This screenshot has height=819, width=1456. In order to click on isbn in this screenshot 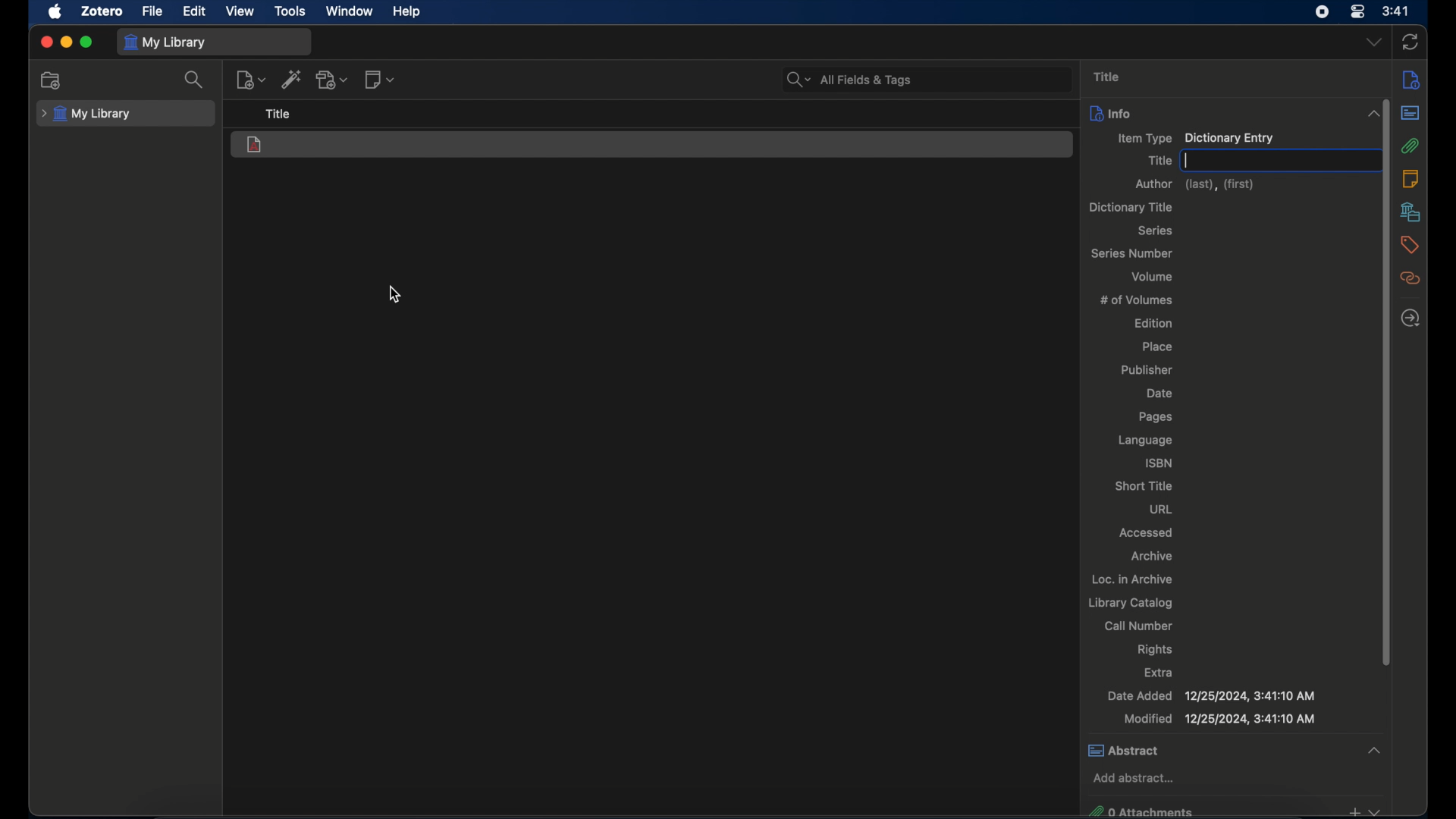, I will do `click(1160, 463)`.